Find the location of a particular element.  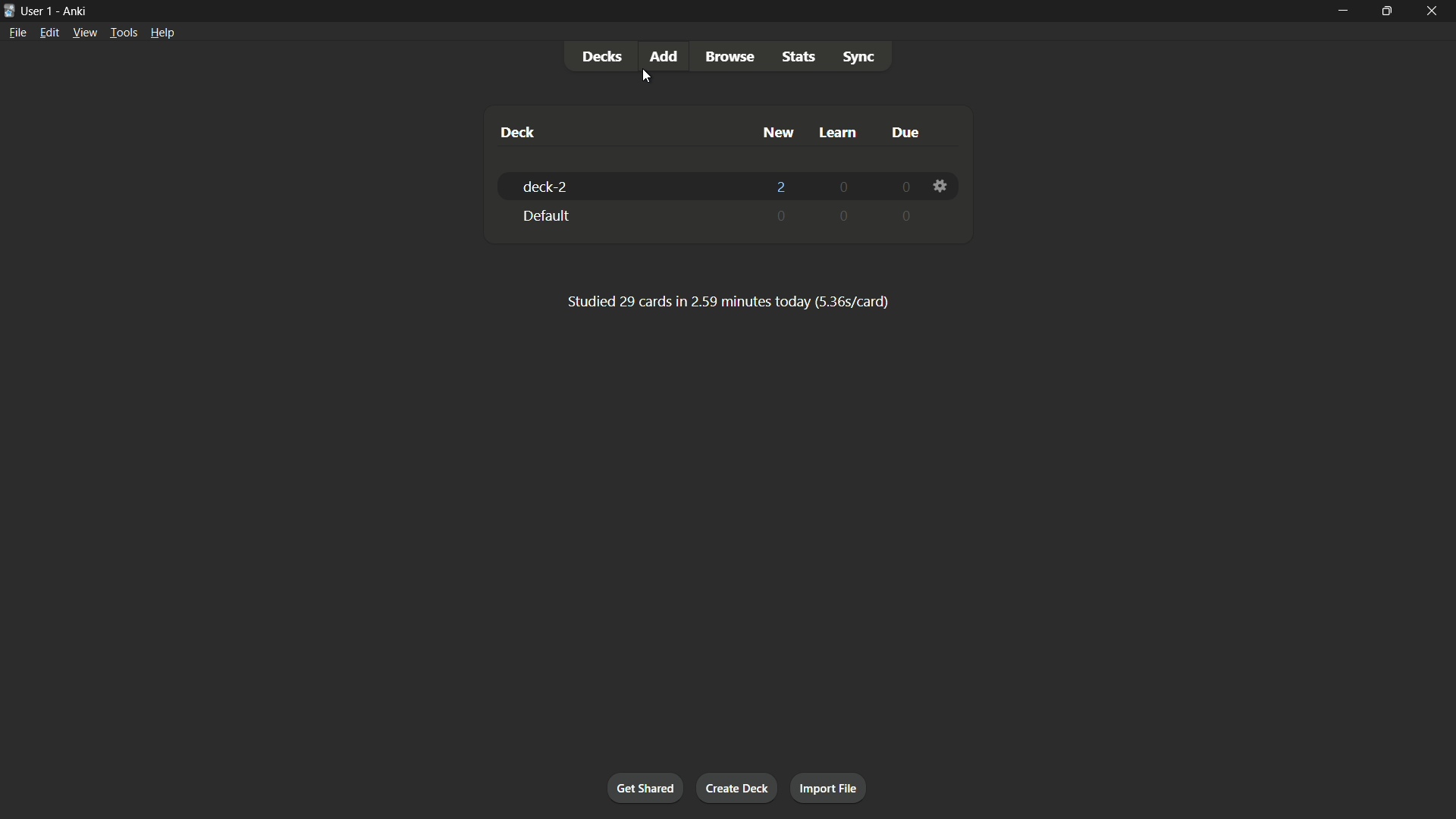

user 1 is located at coordinates (38, 11).